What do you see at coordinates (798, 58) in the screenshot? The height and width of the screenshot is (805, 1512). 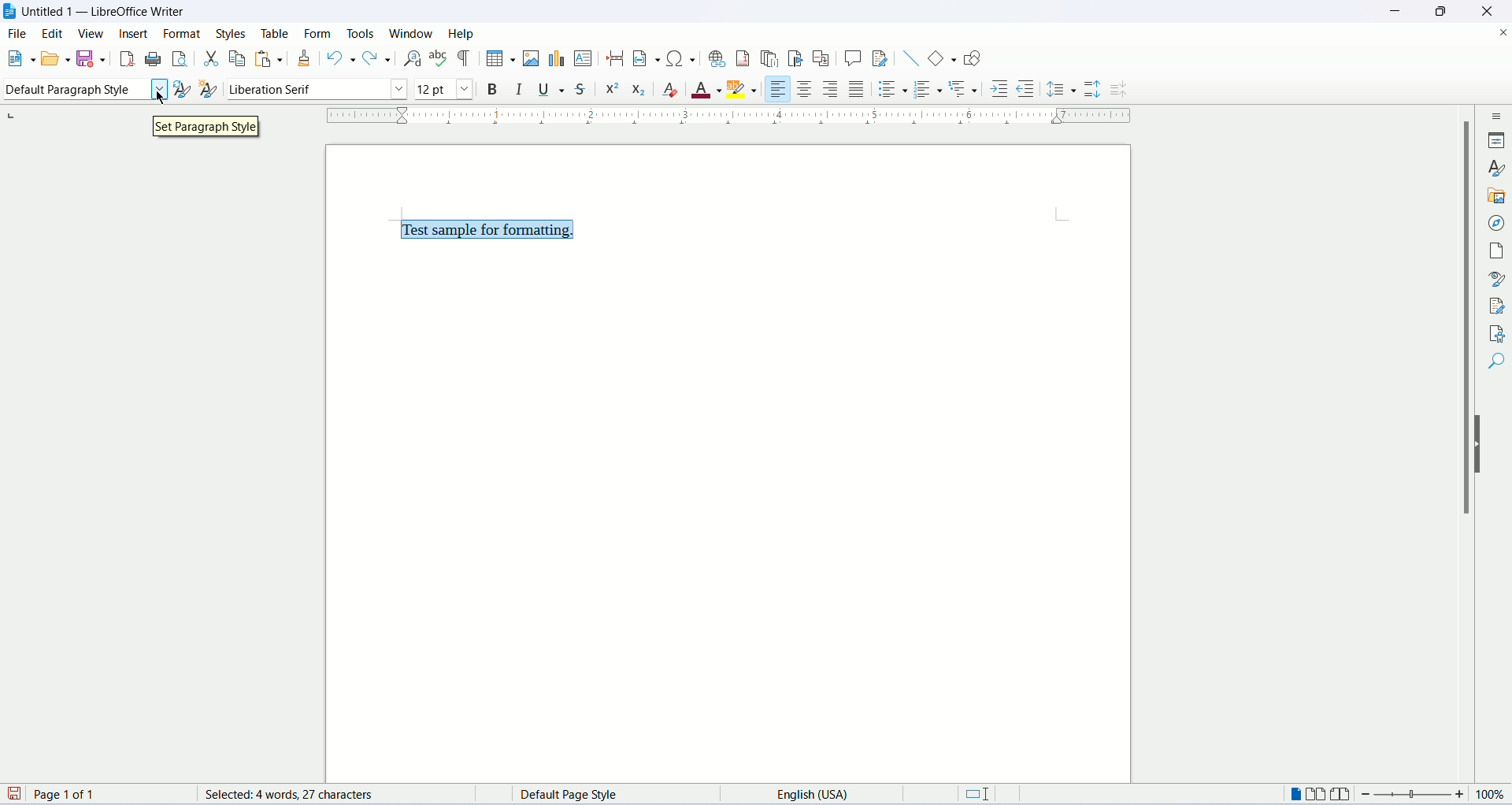 I see `insert bookmark` at bounding box center [798, 58].